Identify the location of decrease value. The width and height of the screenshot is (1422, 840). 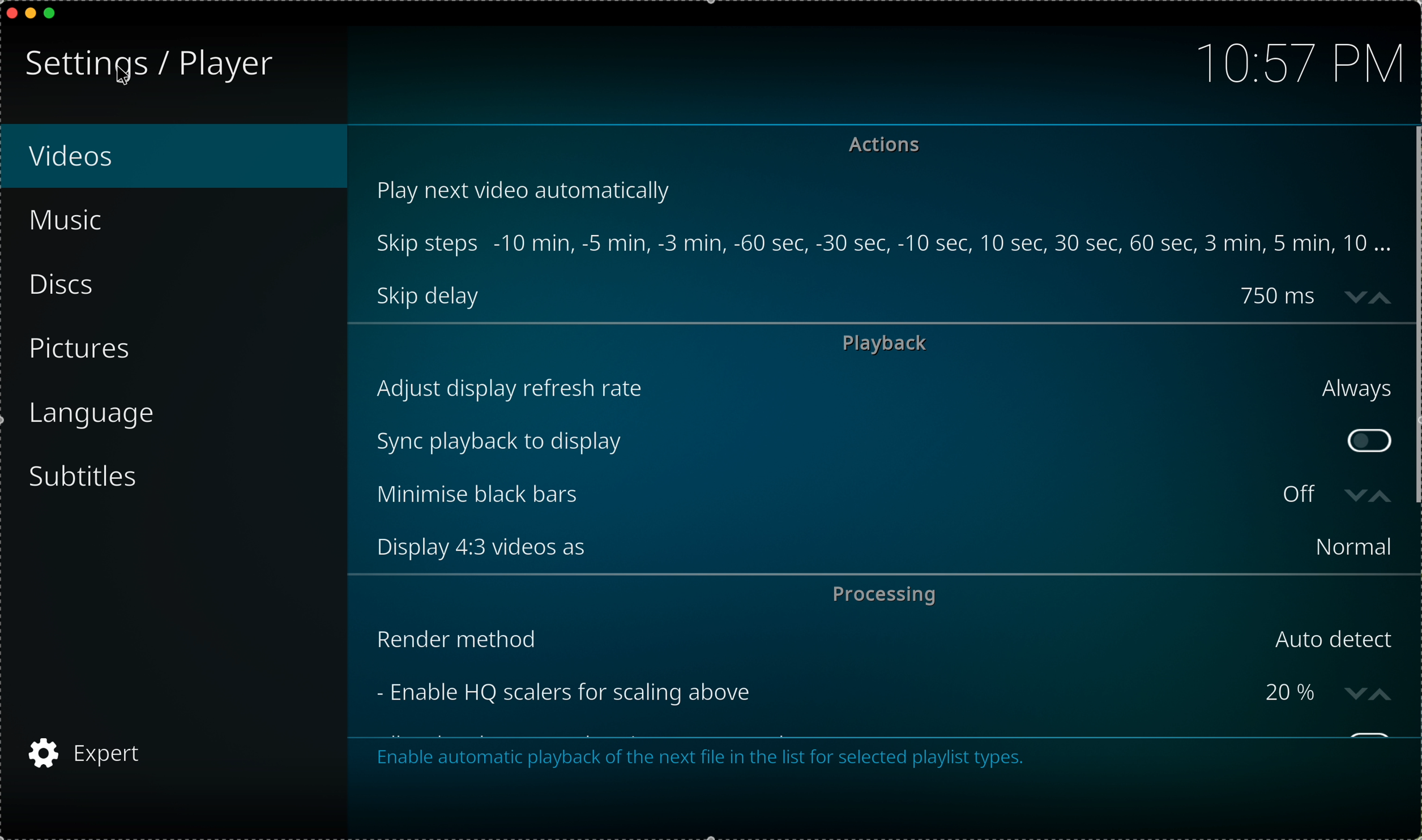
(1351, 294).